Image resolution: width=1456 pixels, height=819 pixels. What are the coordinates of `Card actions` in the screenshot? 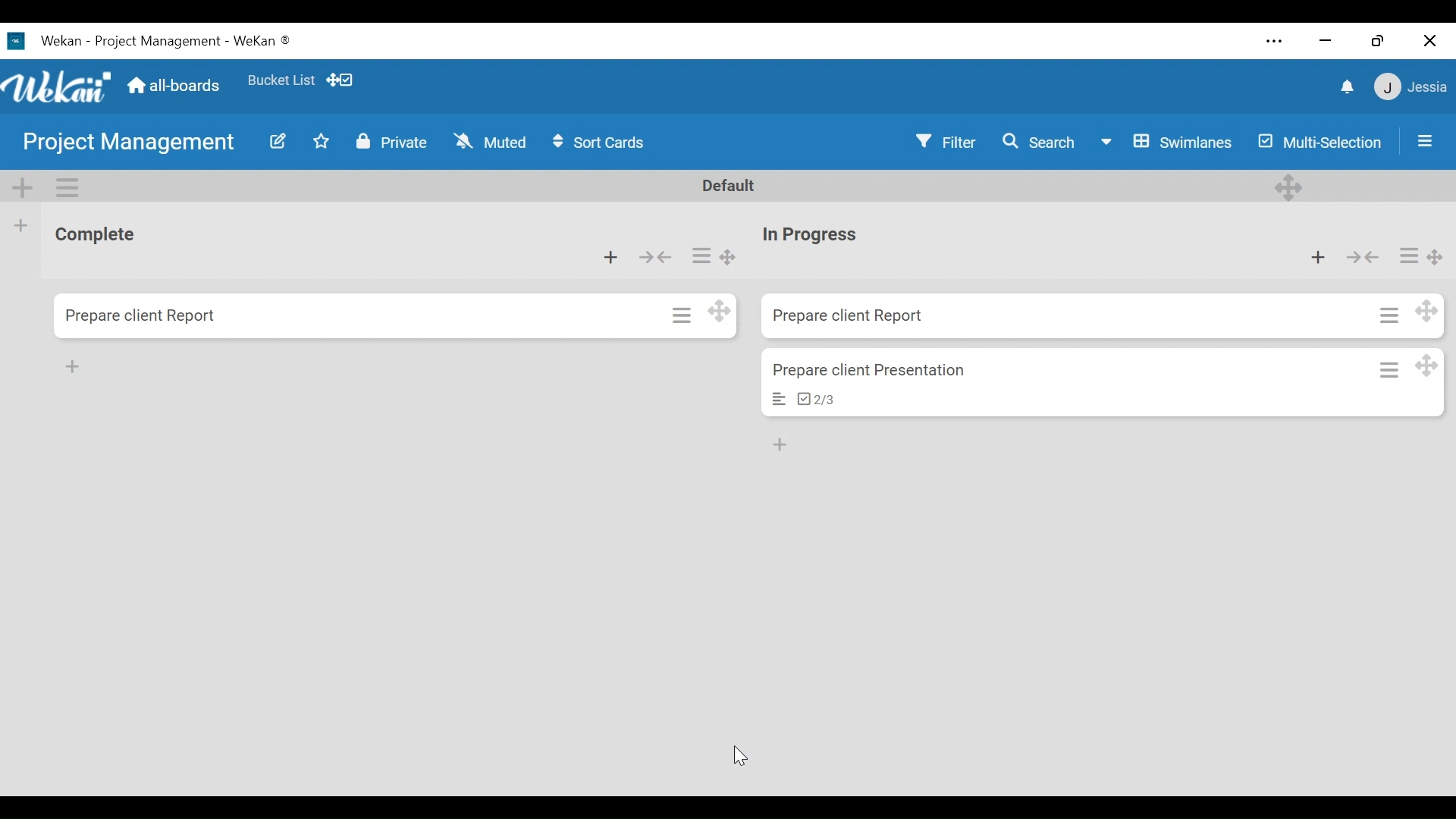 It's located at (698, 253).